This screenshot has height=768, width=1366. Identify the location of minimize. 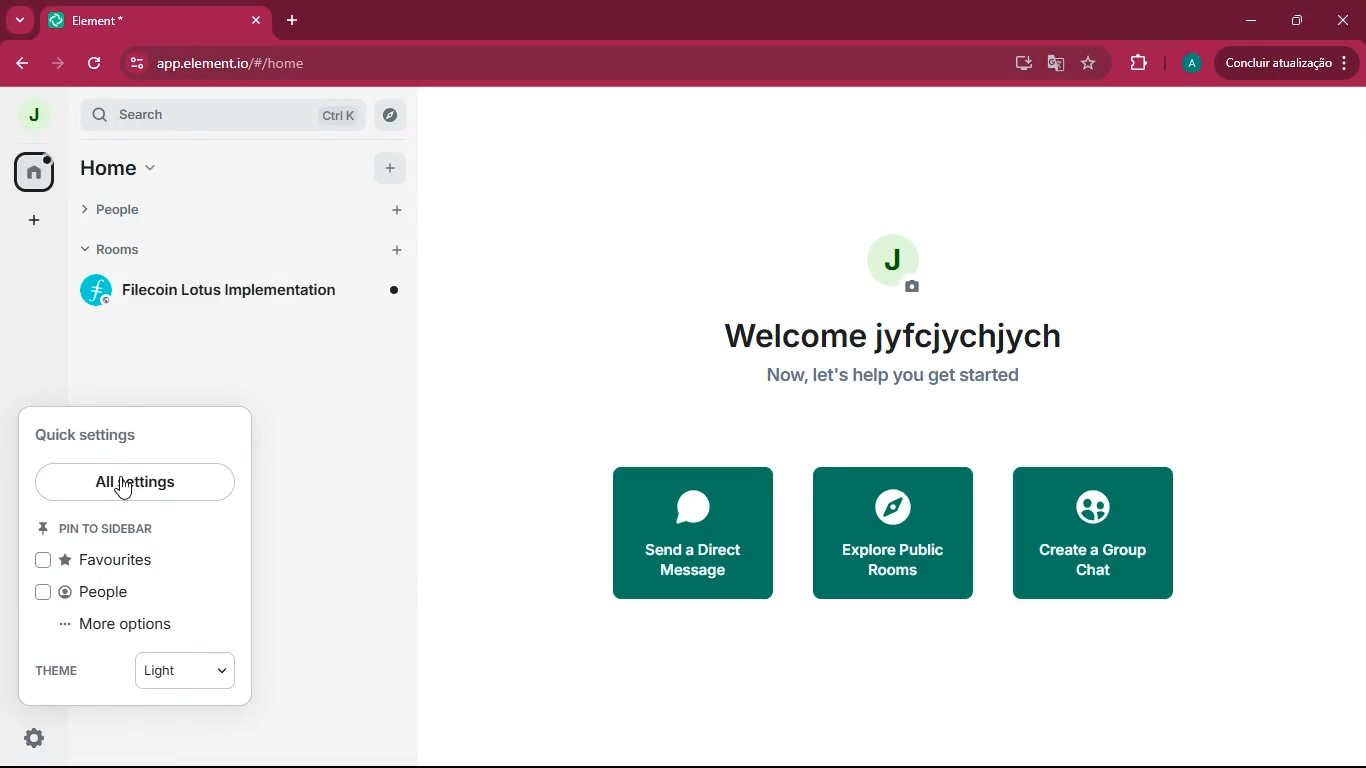
(1247, 22).